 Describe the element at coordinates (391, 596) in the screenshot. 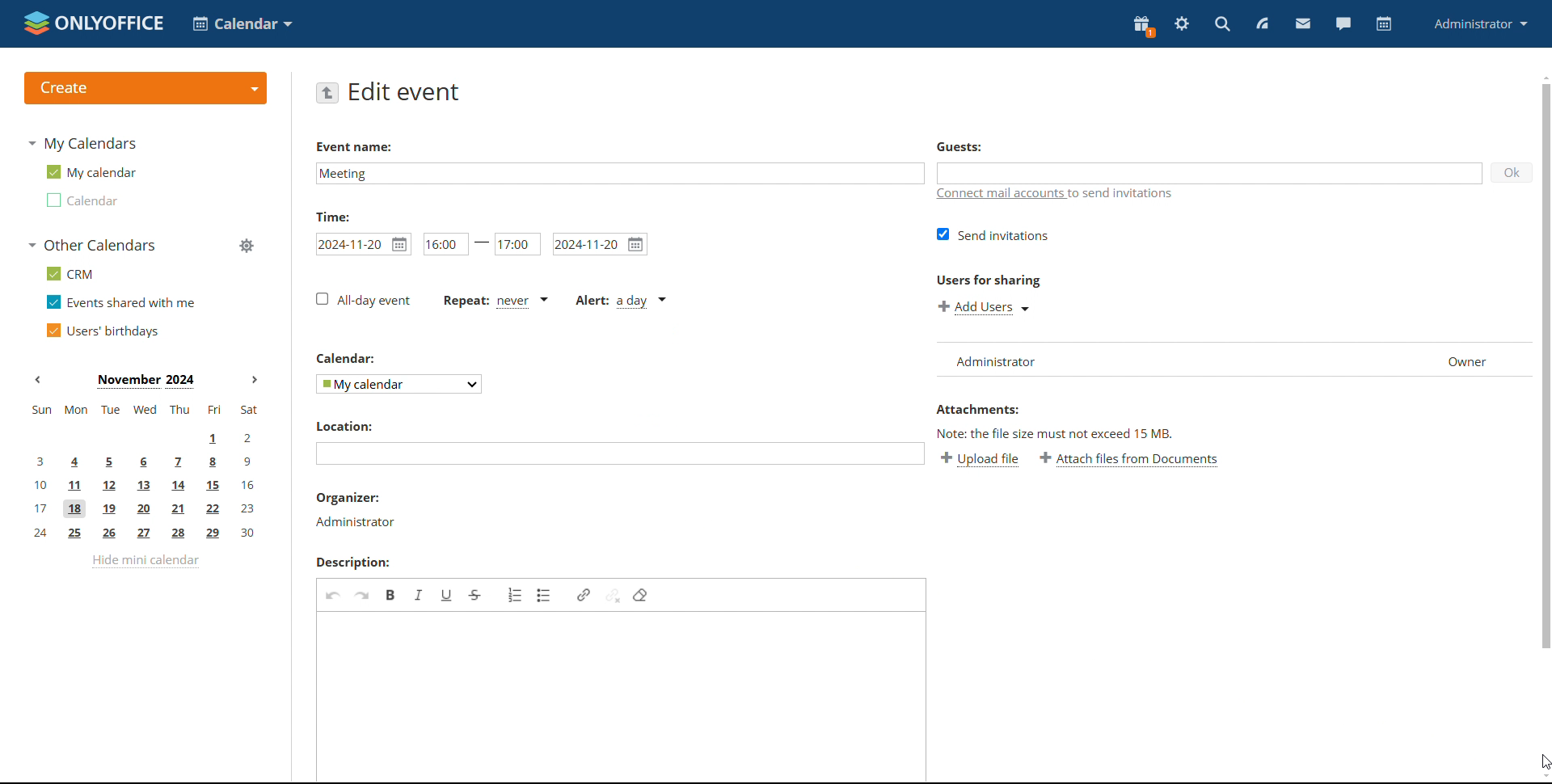

I see `bold` at that location.